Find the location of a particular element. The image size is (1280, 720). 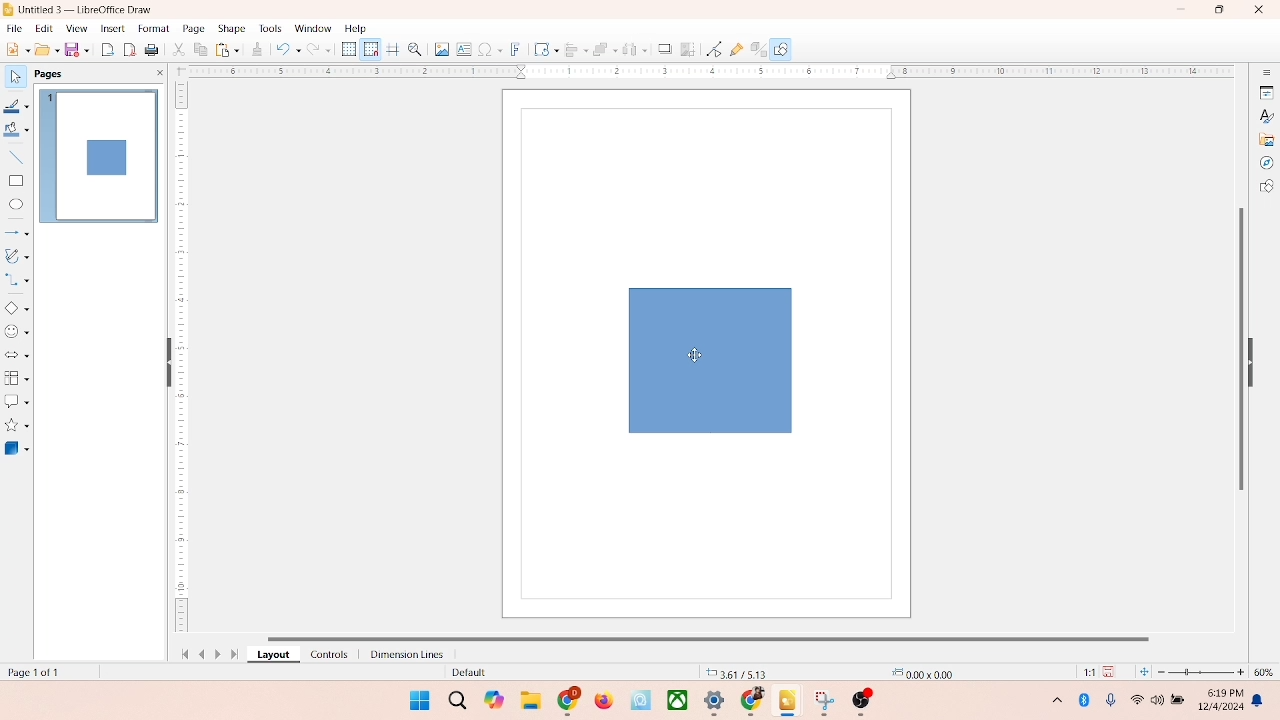

file is located at coordinates (15, 26).